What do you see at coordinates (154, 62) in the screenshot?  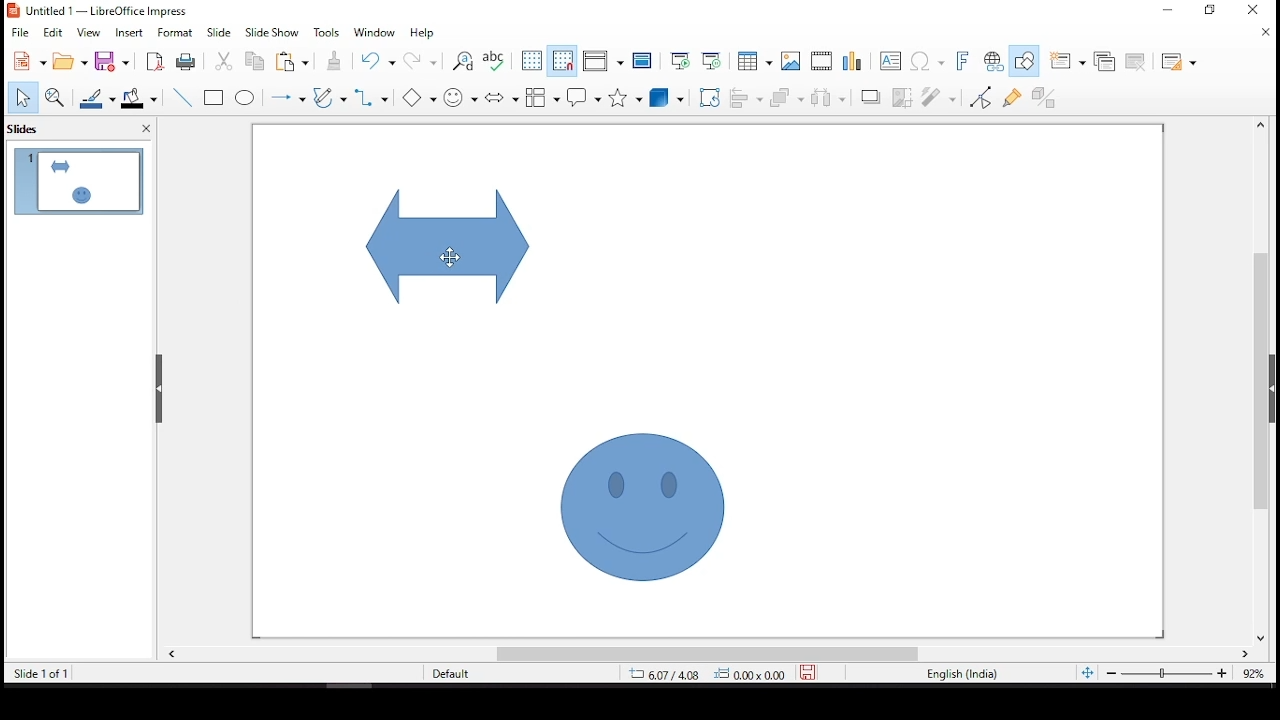 I see `export as pdf` at bounding box center [154, 62].